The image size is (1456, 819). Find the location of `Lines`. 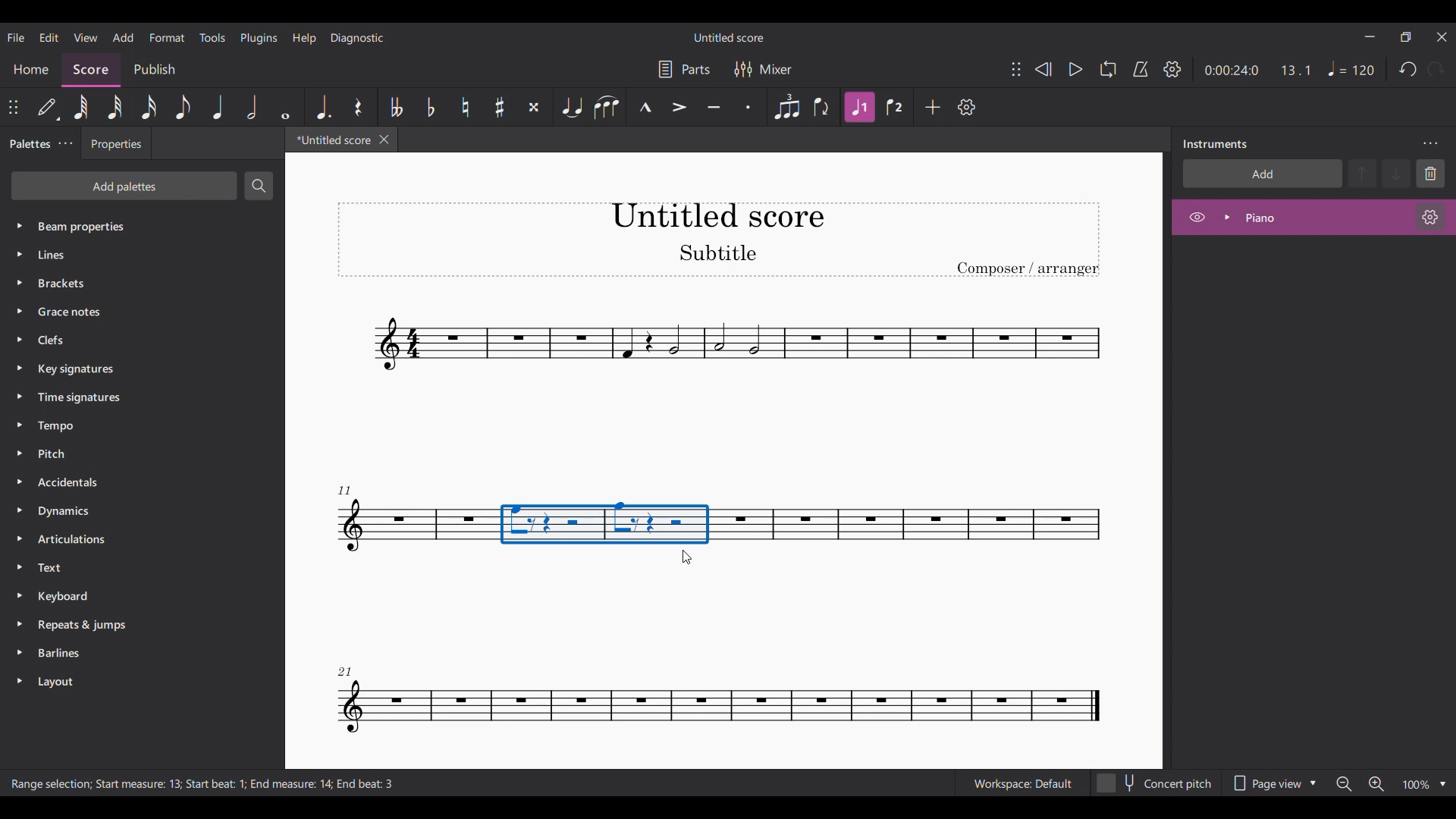

Lines is located at coordinates (135, 254).